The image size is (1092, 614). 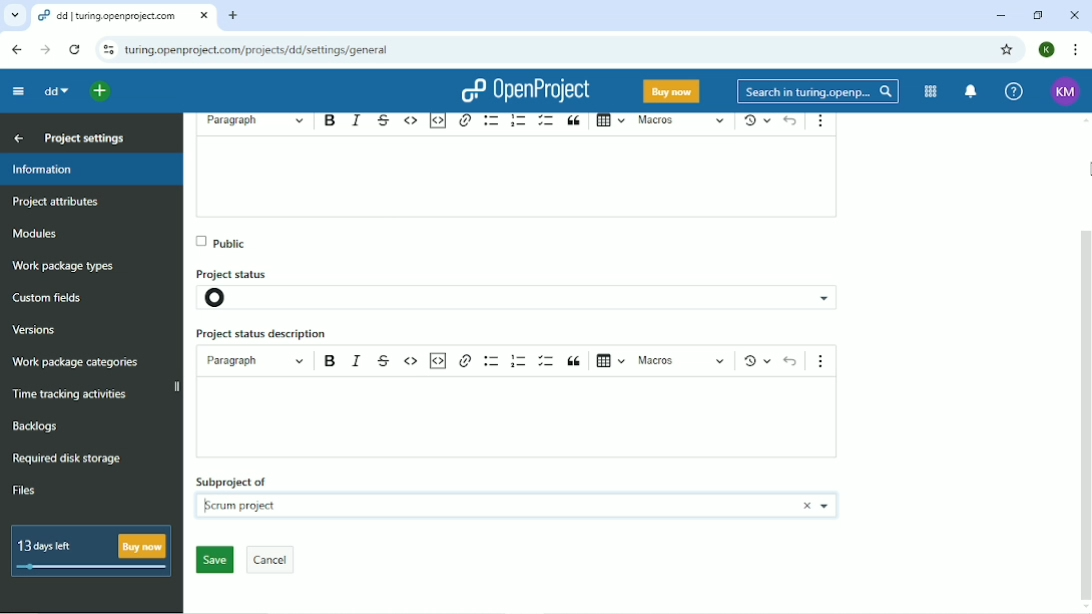 I want to click on project status options, so click(x=815, y=298).